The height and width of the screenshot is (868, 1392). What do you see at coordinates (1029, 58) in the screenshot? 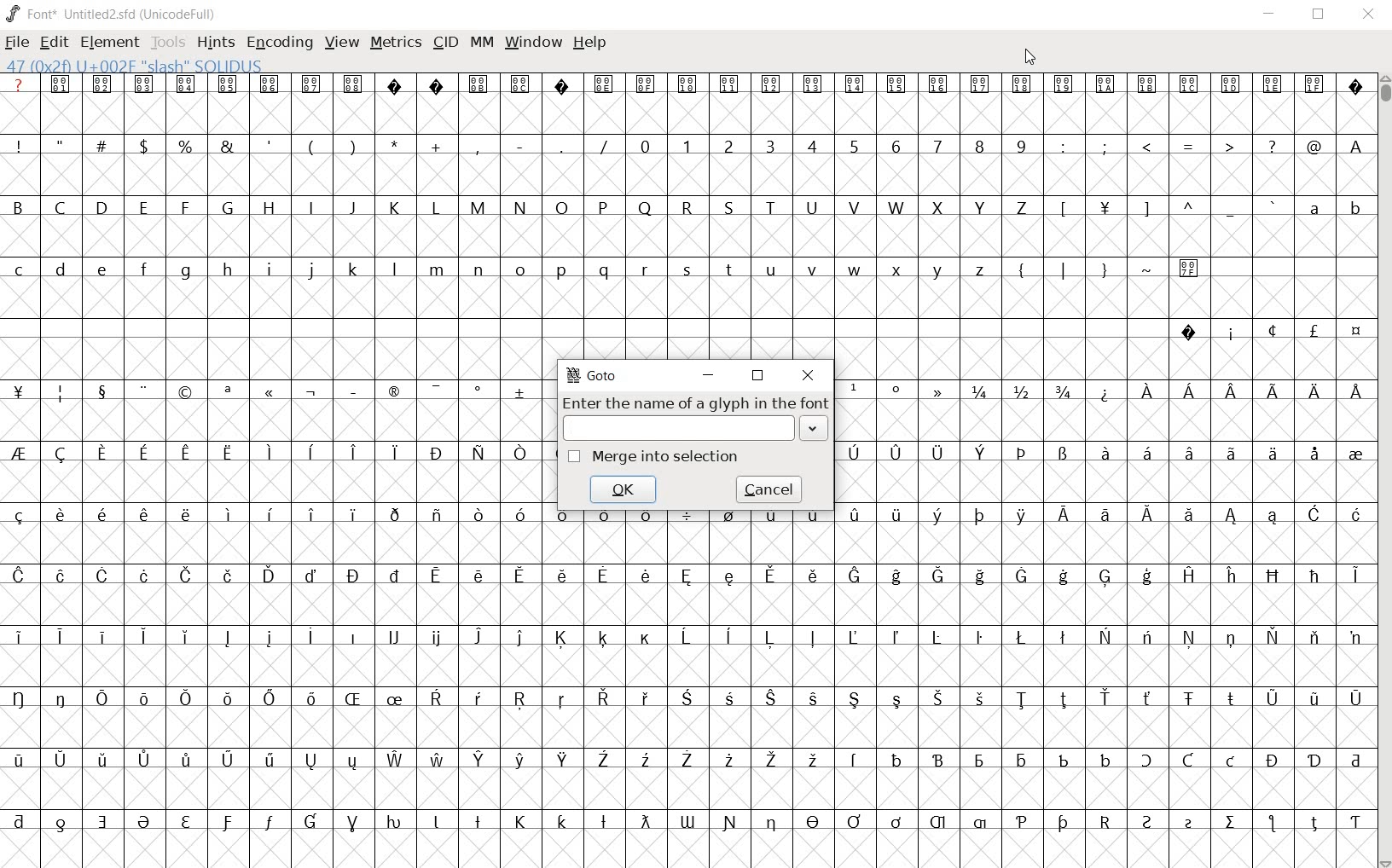
I see `CURSOR` at bounding box center [1029, 58].